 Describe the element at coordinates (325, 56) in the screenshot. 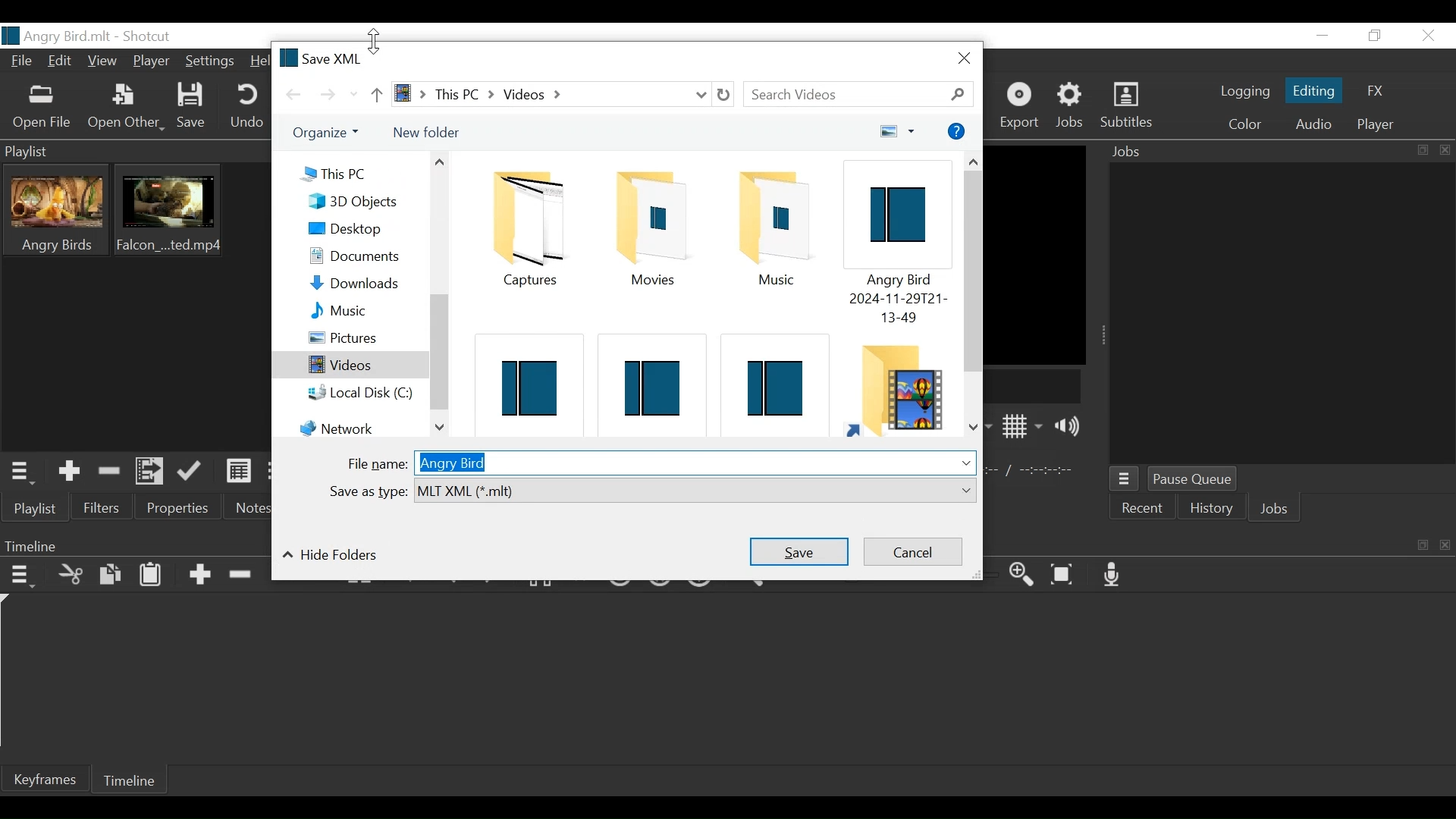

I see `Save XML` at that location.